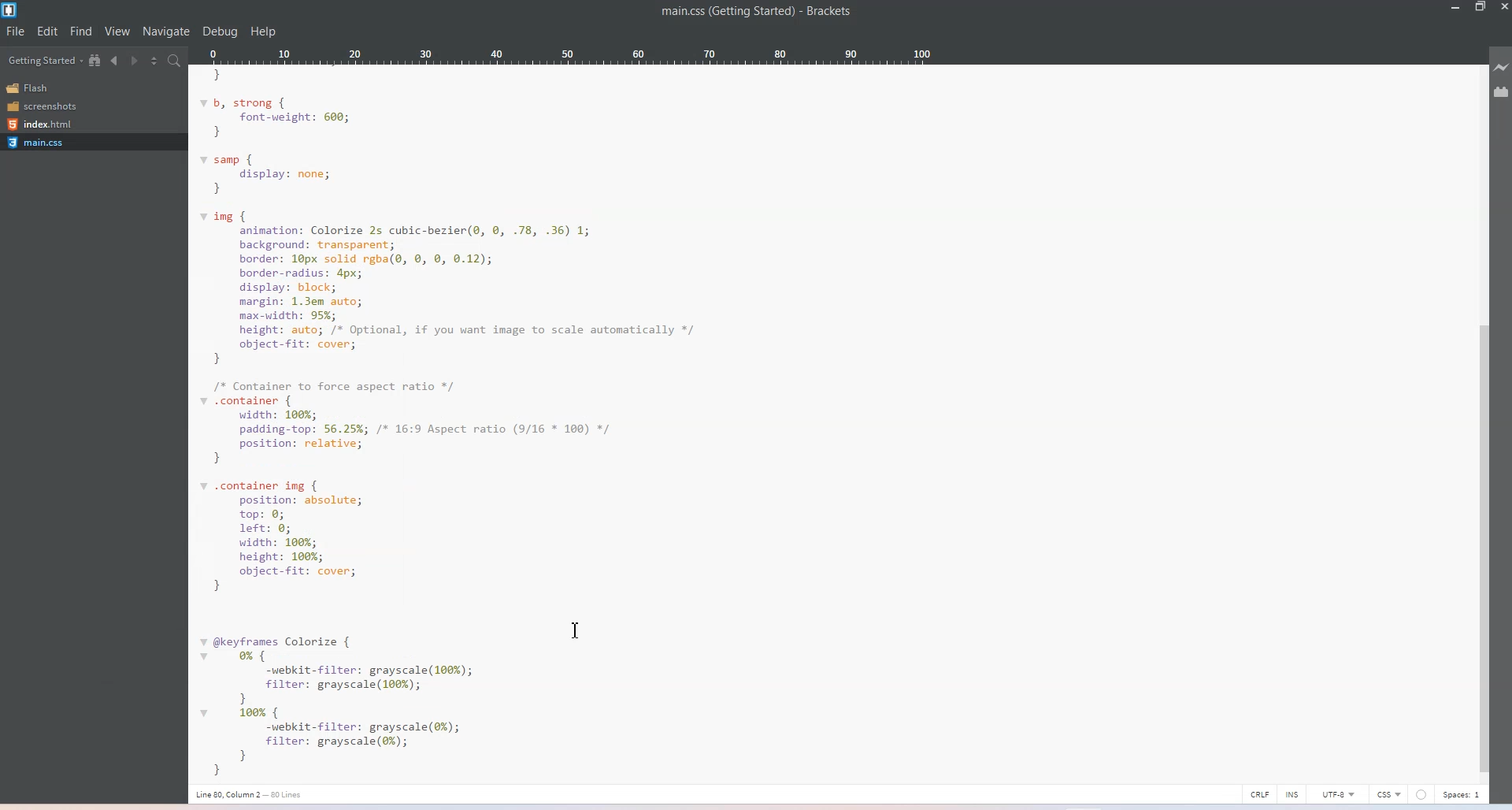 The width and height of the screenshot is (1512, 810). I want to click on Edit, so click(47, 31).